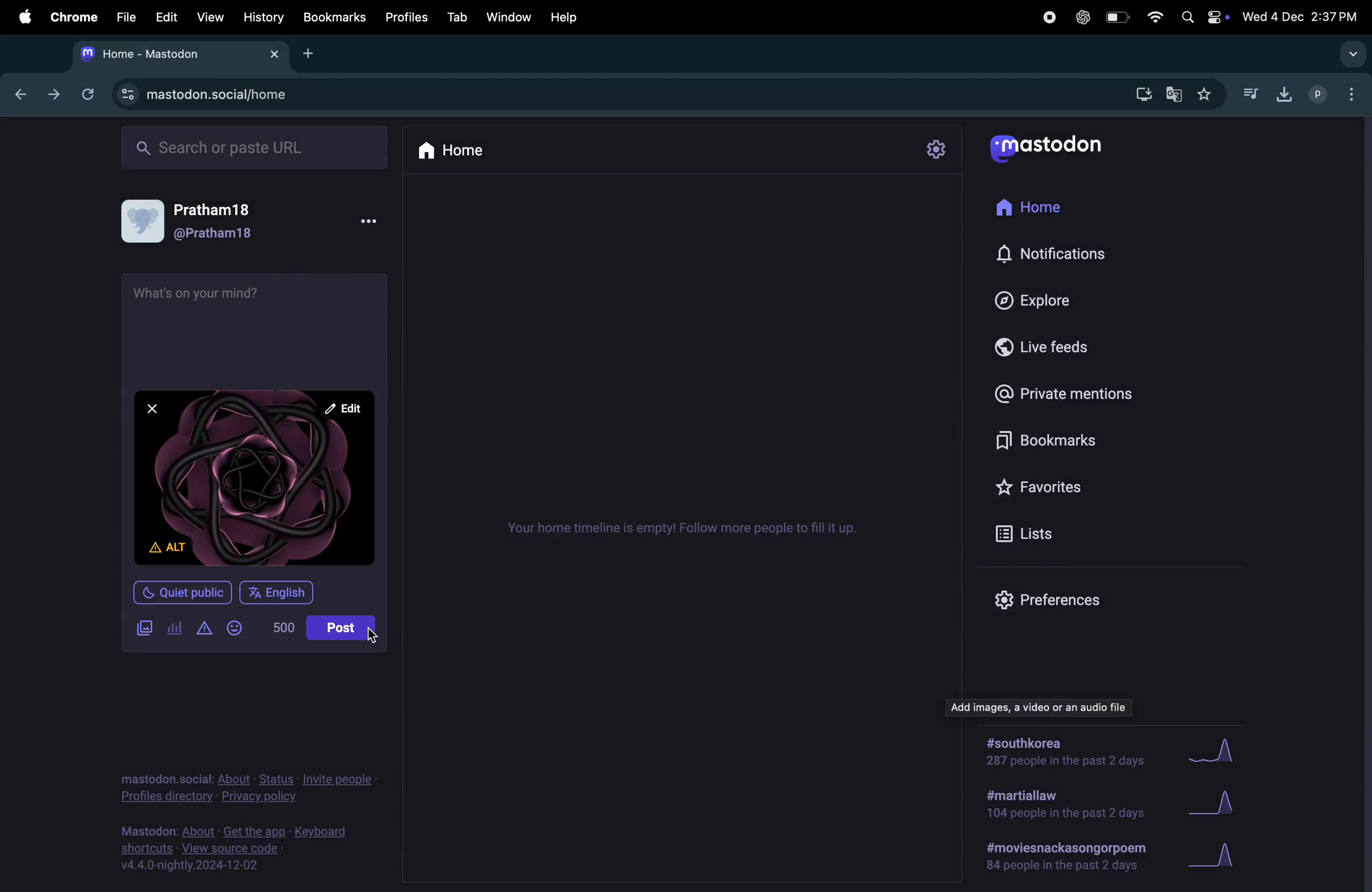 Image resolution: width=1372 pixels, height=892 pixels. Describe the element at coordinates (240, 848) in the screenshot. I see `view source code` at that location.